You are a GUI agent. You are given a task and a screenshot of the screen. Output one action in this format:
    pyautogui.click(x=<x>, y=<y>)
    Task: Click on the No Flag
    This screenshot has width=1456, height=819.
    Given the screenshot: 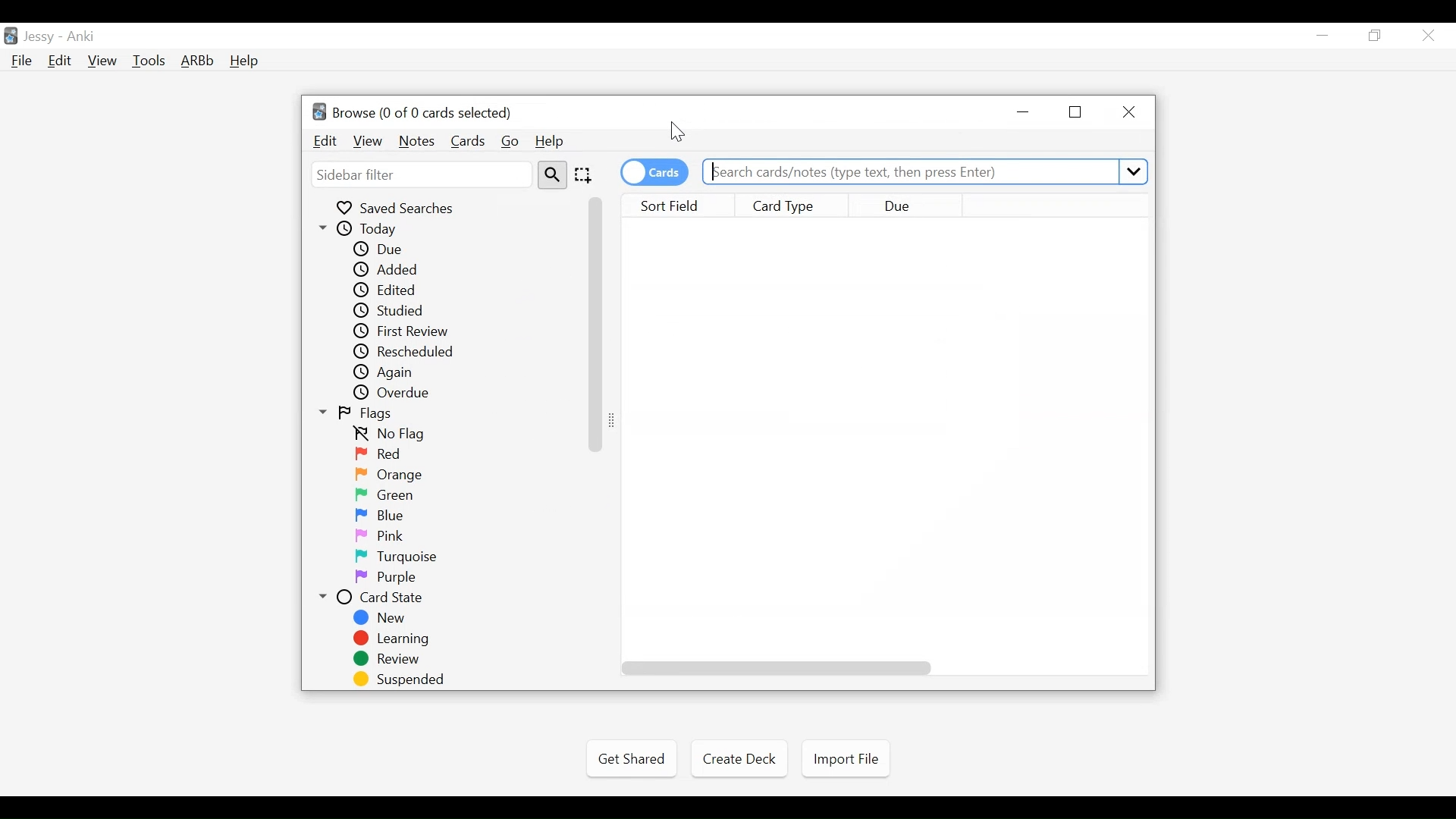 What is the action you would take?
    pyautogui.click(x=395, y=435)
    